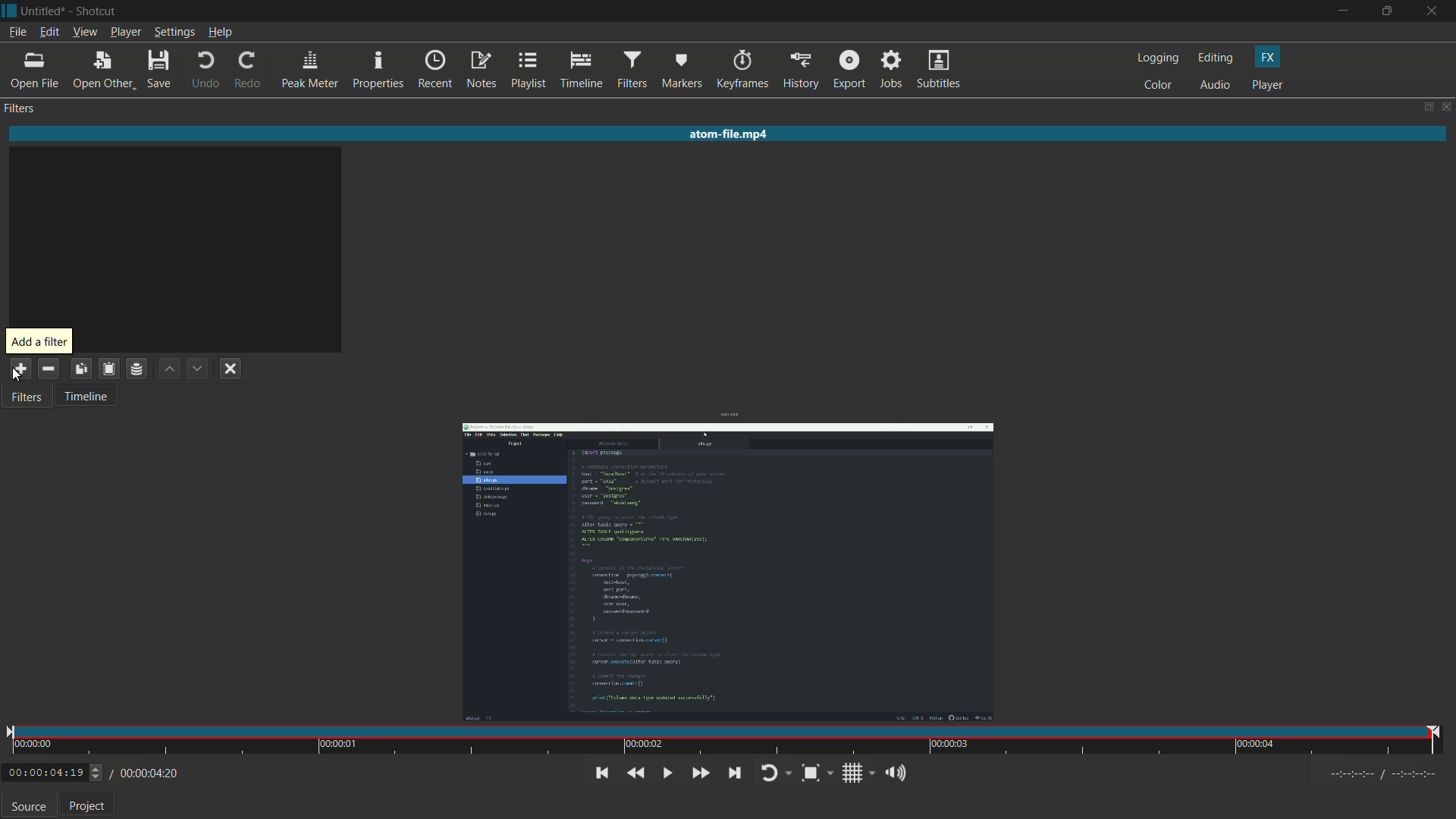  What do you see at coordinates (18, 368) in the screenshot?
I see `Add Filter` at bounding box center [18, 368].